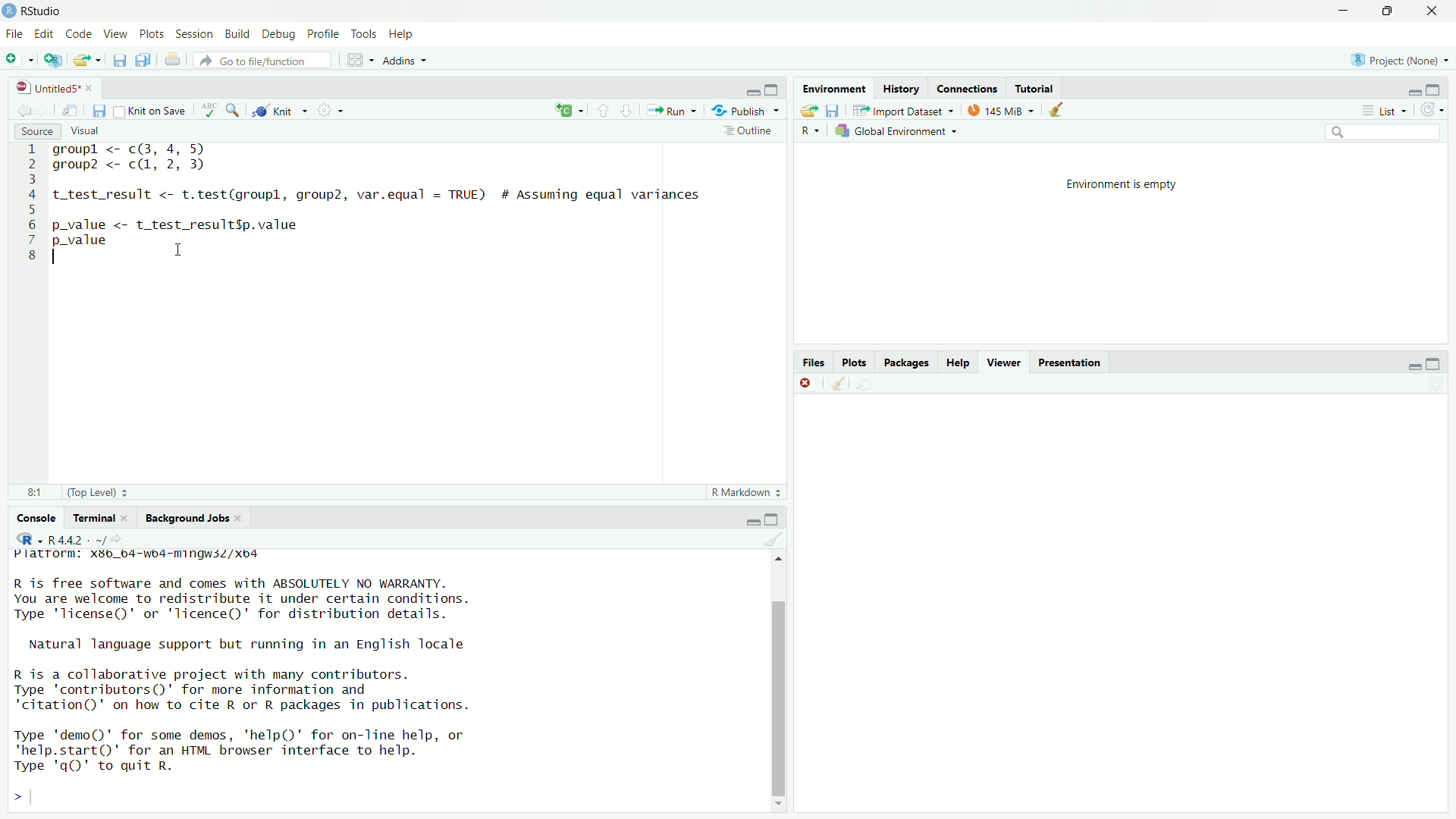  I want to click on Knit on Save, so click(154, 109).